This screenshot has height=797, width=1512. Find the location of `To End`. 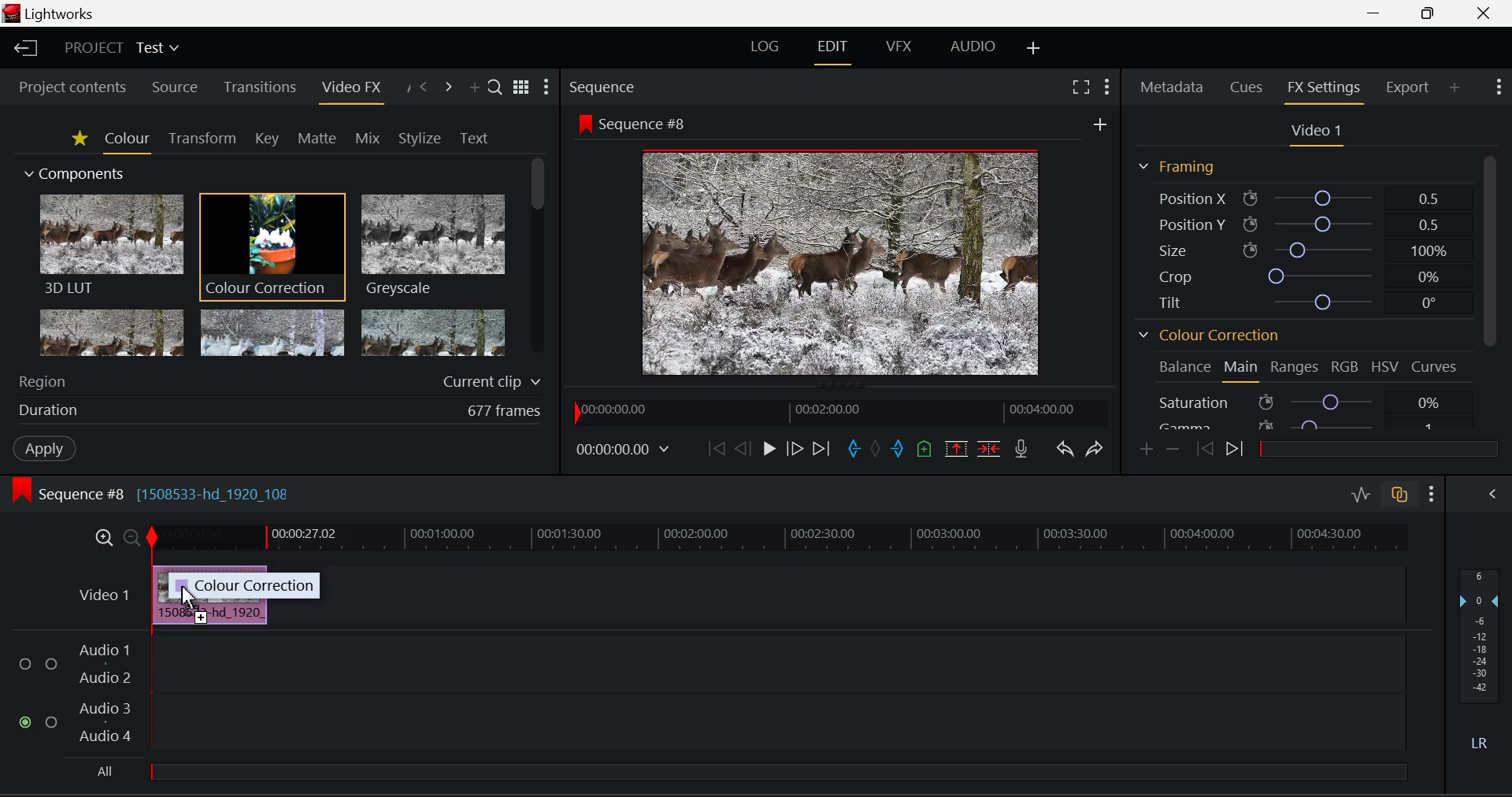

To End is located at coordinates (821, 450).